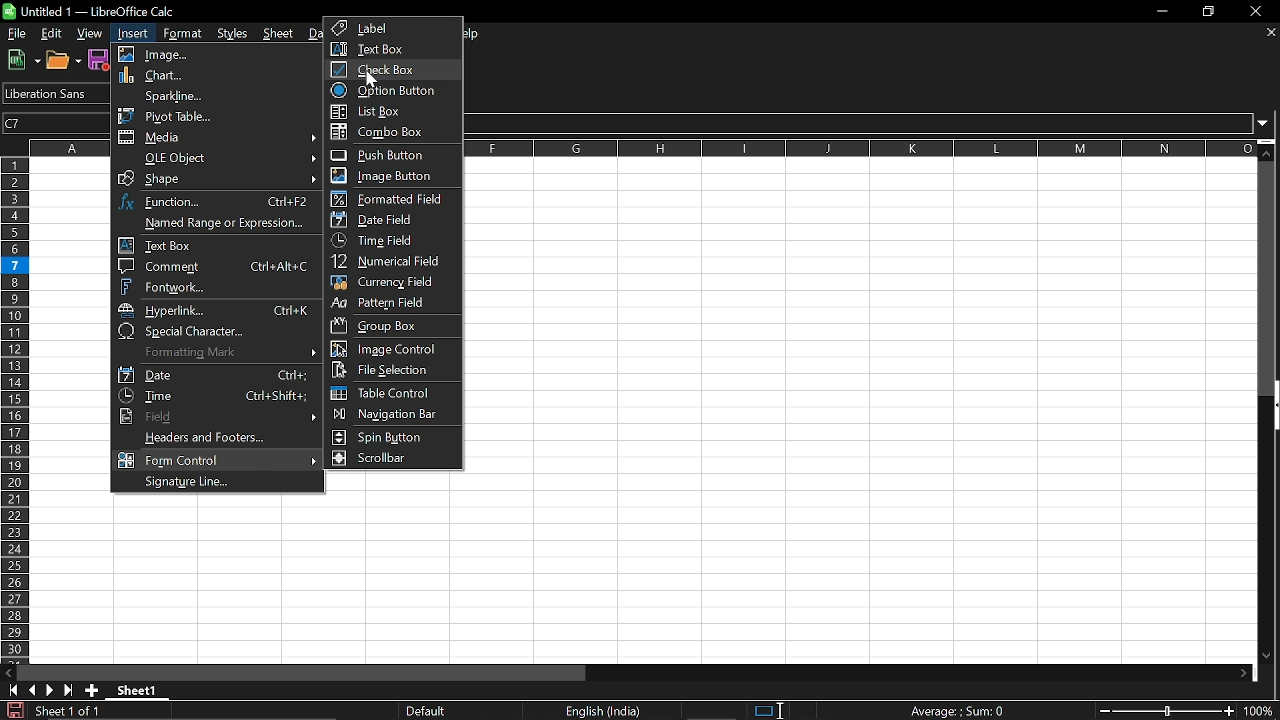  What do you see at coordinates (214, 266) in the screenshot?
I see `COmment` at bounding box center [214, 266].